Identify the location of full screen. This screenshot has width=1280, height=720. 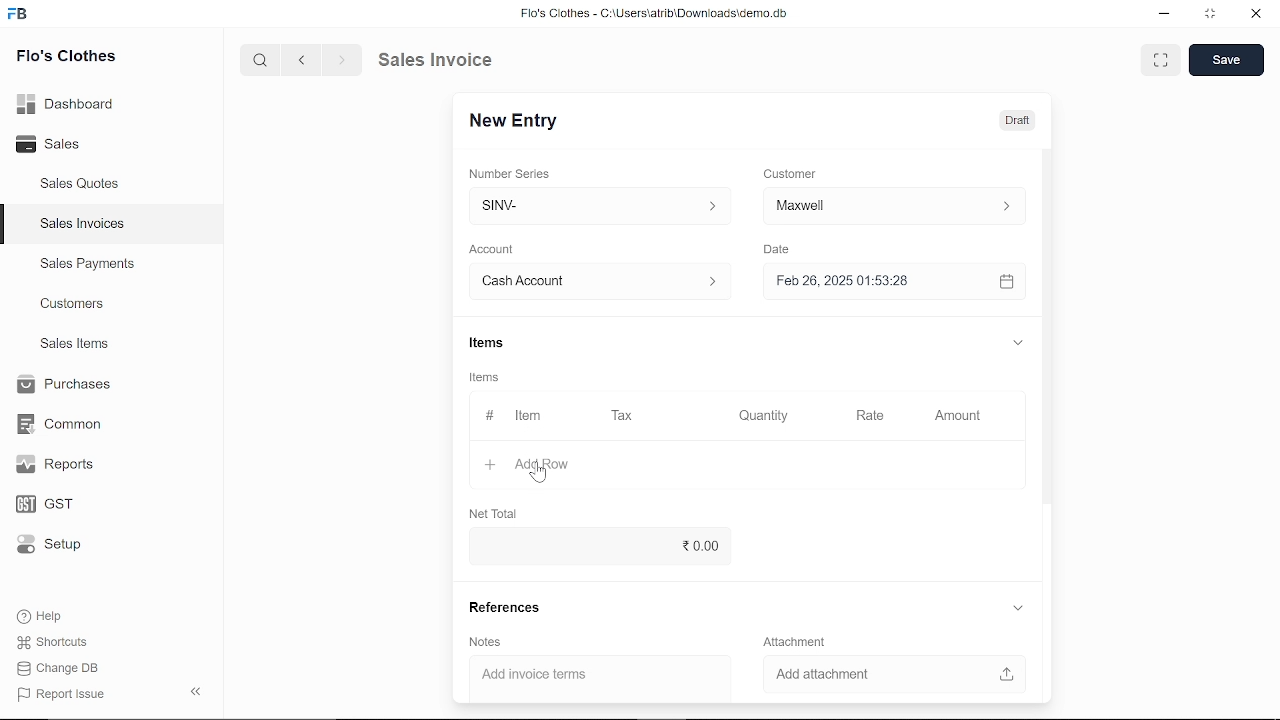
(1160, 60).